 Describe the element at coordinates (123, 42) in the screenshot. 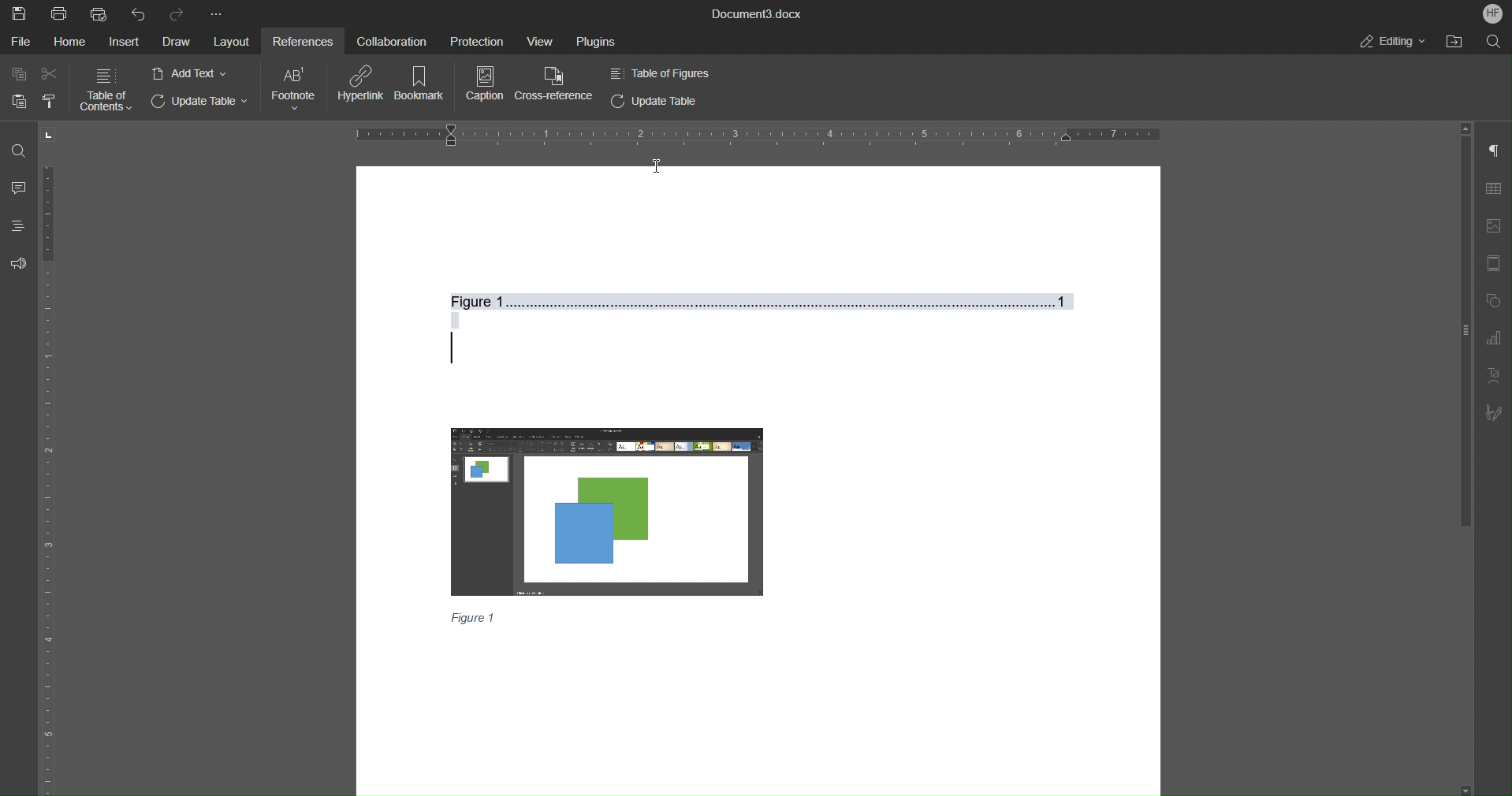

I see `Insert` at that location.